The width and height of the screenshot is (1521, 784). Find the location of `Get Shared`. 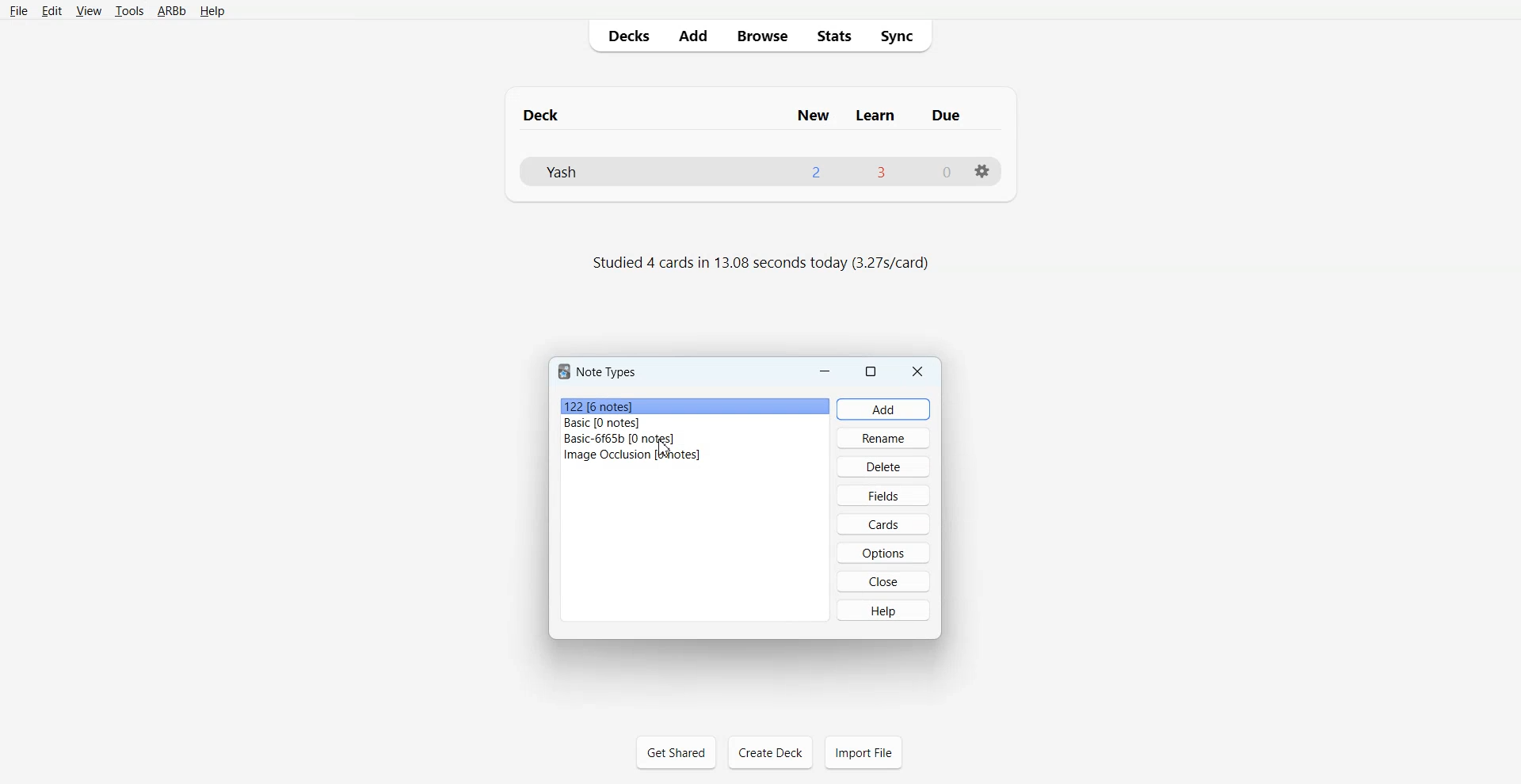

Get Shared is located at coordinates (676, 752).